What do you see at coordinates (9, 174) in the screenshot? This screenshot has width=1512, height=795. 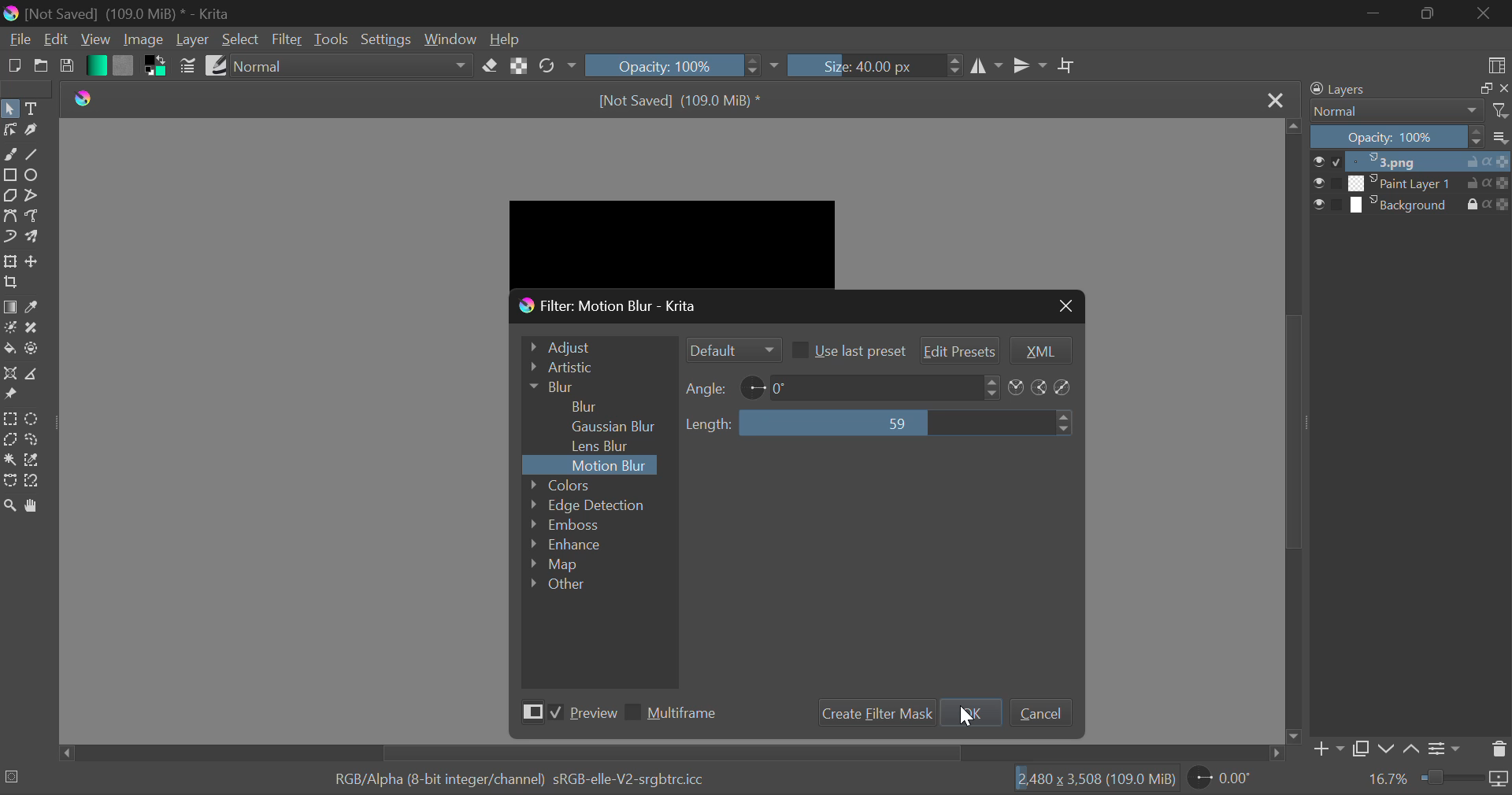 I see `Rectangle` at bounding box center [9, 174].